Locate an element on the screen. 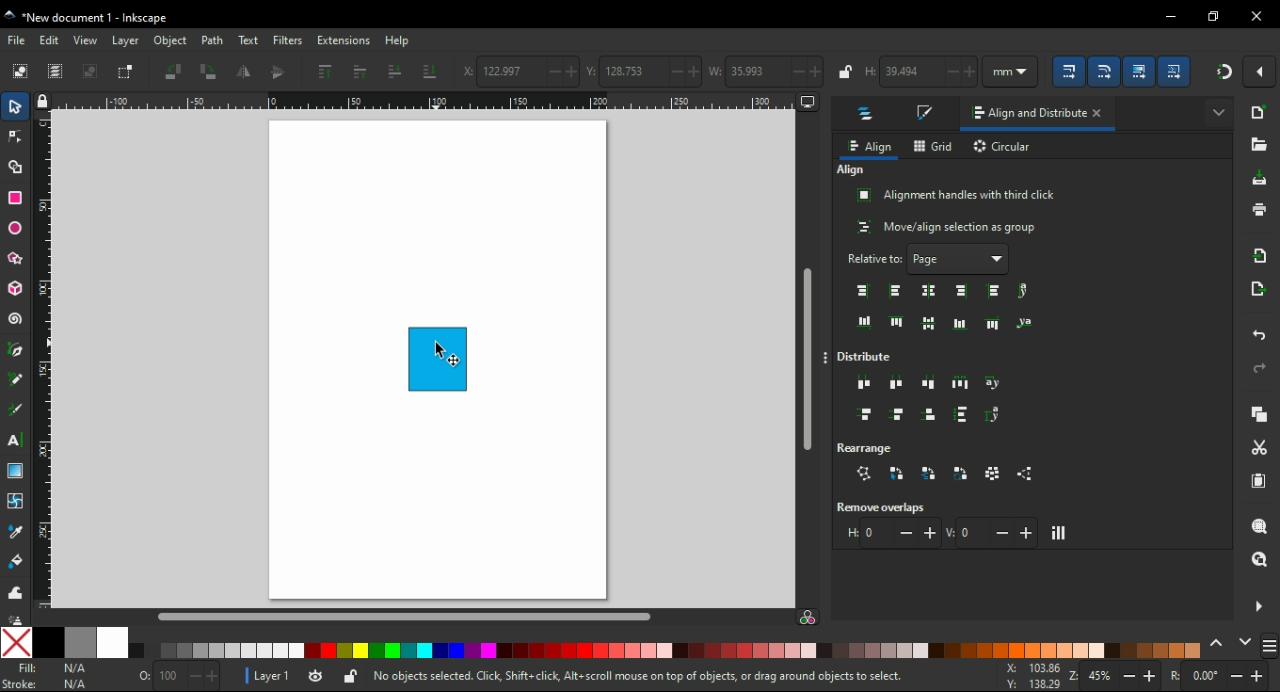 The width and height of the screenshot is (1280, 692). Keyboard shortcuts is located at coordinates (639, 675).